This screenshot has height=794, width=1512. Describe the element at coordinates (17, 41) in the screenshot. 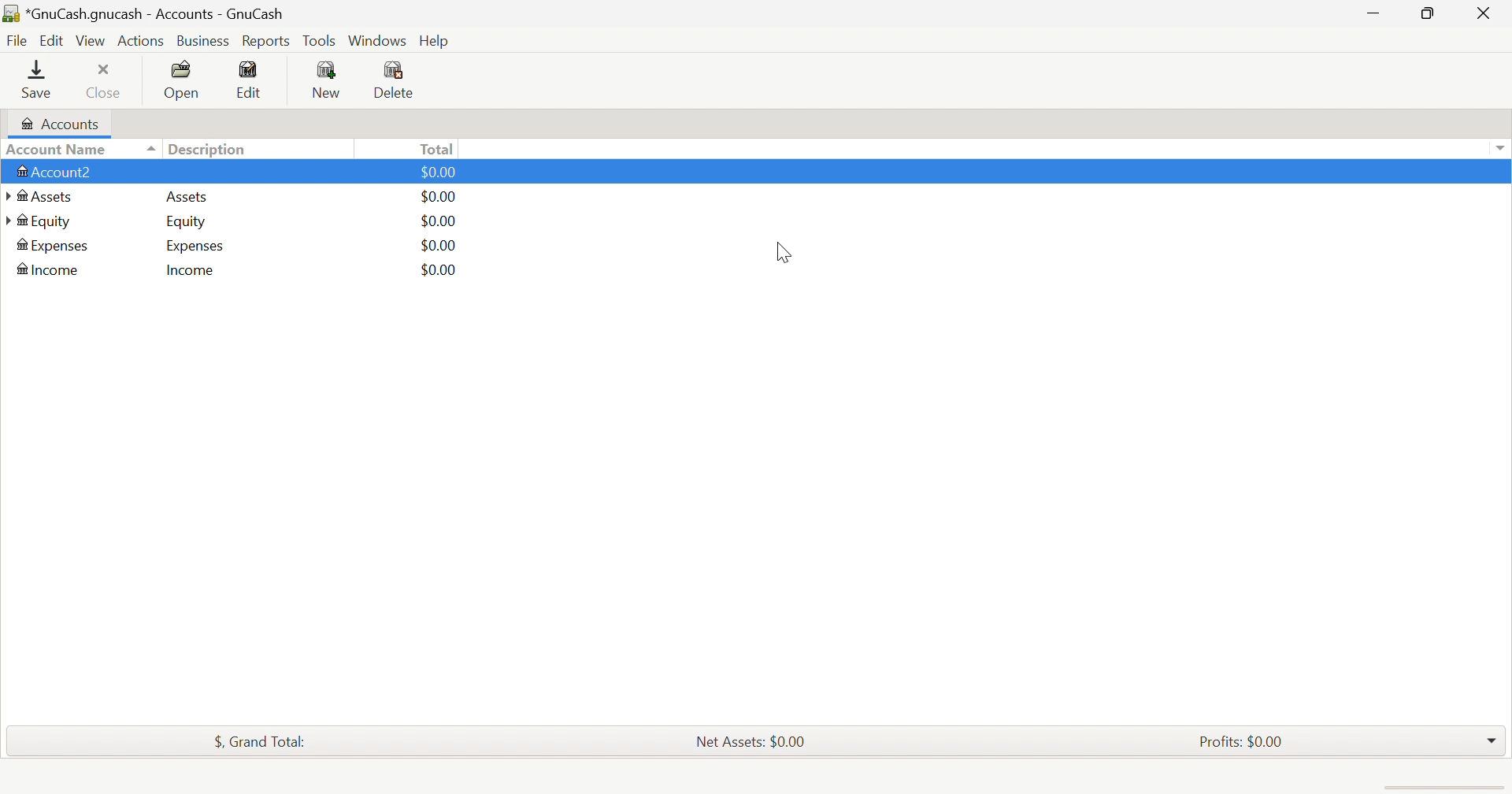

I see `File` at that location.